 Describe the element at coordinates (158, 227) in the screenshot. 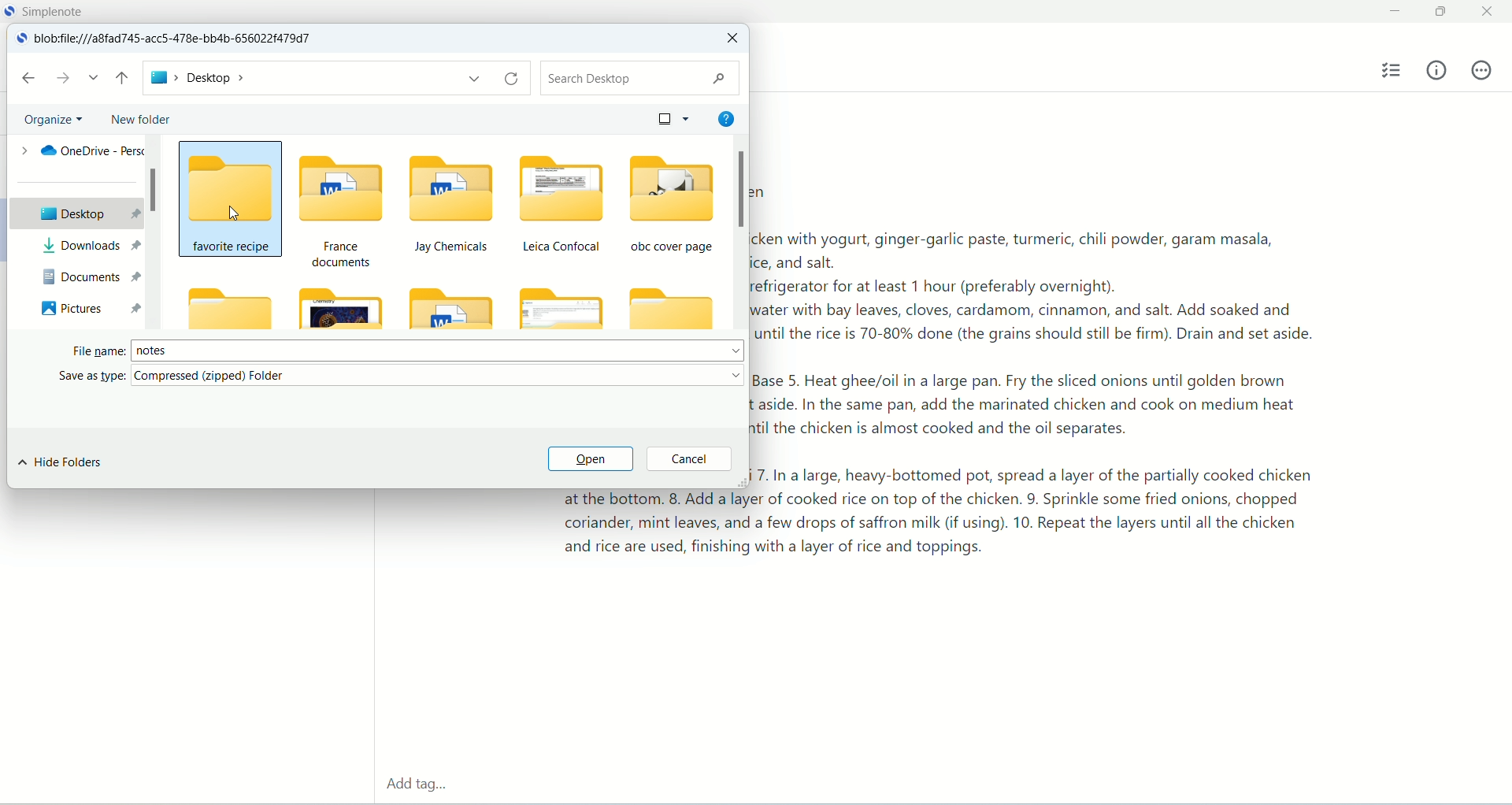

I see `vertical scroll bar` at that location.